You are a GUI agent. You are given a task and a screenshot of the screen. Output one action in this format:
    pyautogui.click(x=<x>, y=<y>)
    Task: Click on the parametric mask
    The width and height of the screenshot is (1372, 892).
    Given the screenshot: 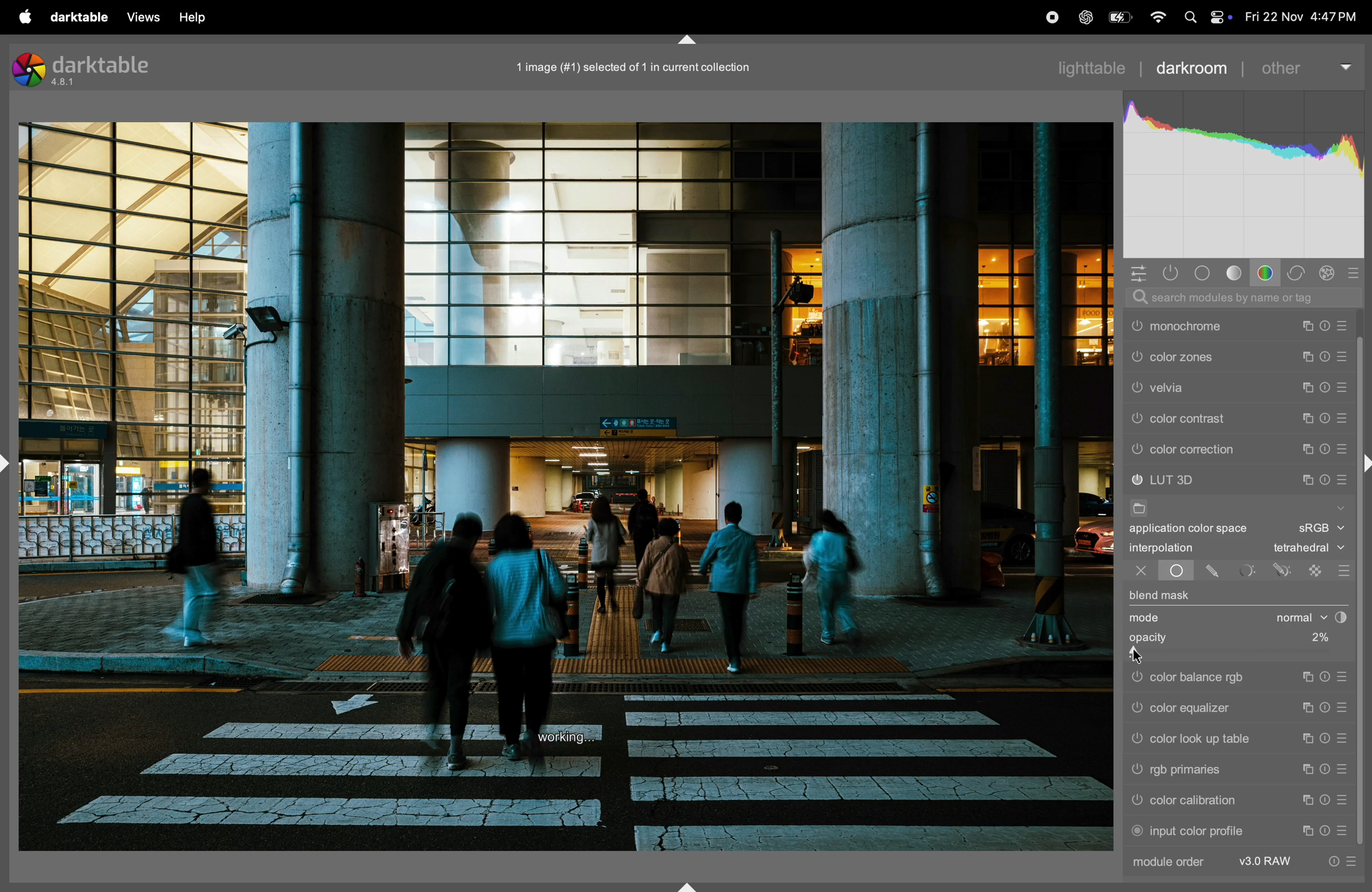 What is the action you would take?
    pyautogui.click(x=1248, y=570)
    